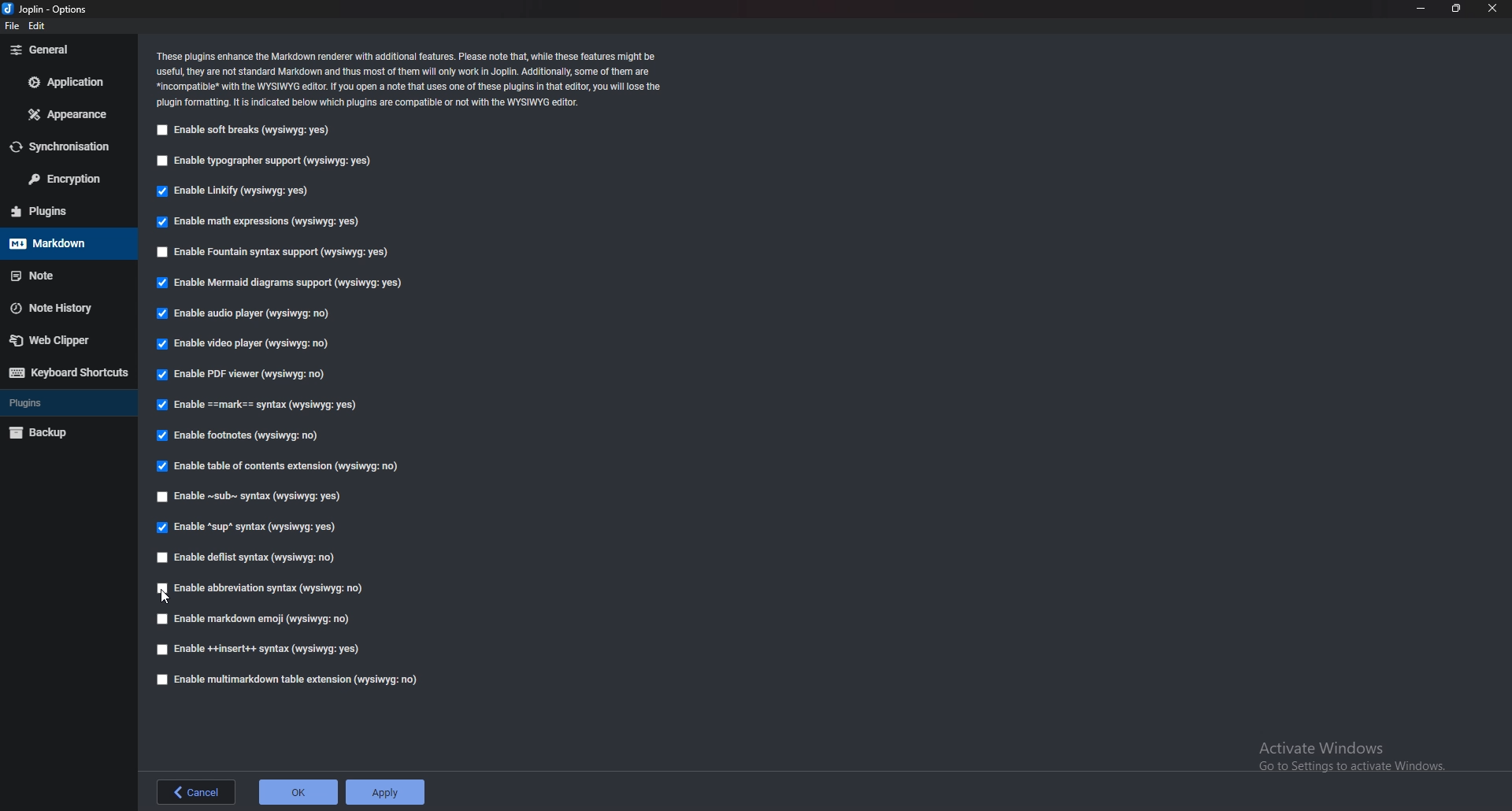 The height and width of the screenshot is (811, 1512). What do you see at coordinates (66, 308) in the screenshot?
I see `note history` at bounding box center [66, 308].